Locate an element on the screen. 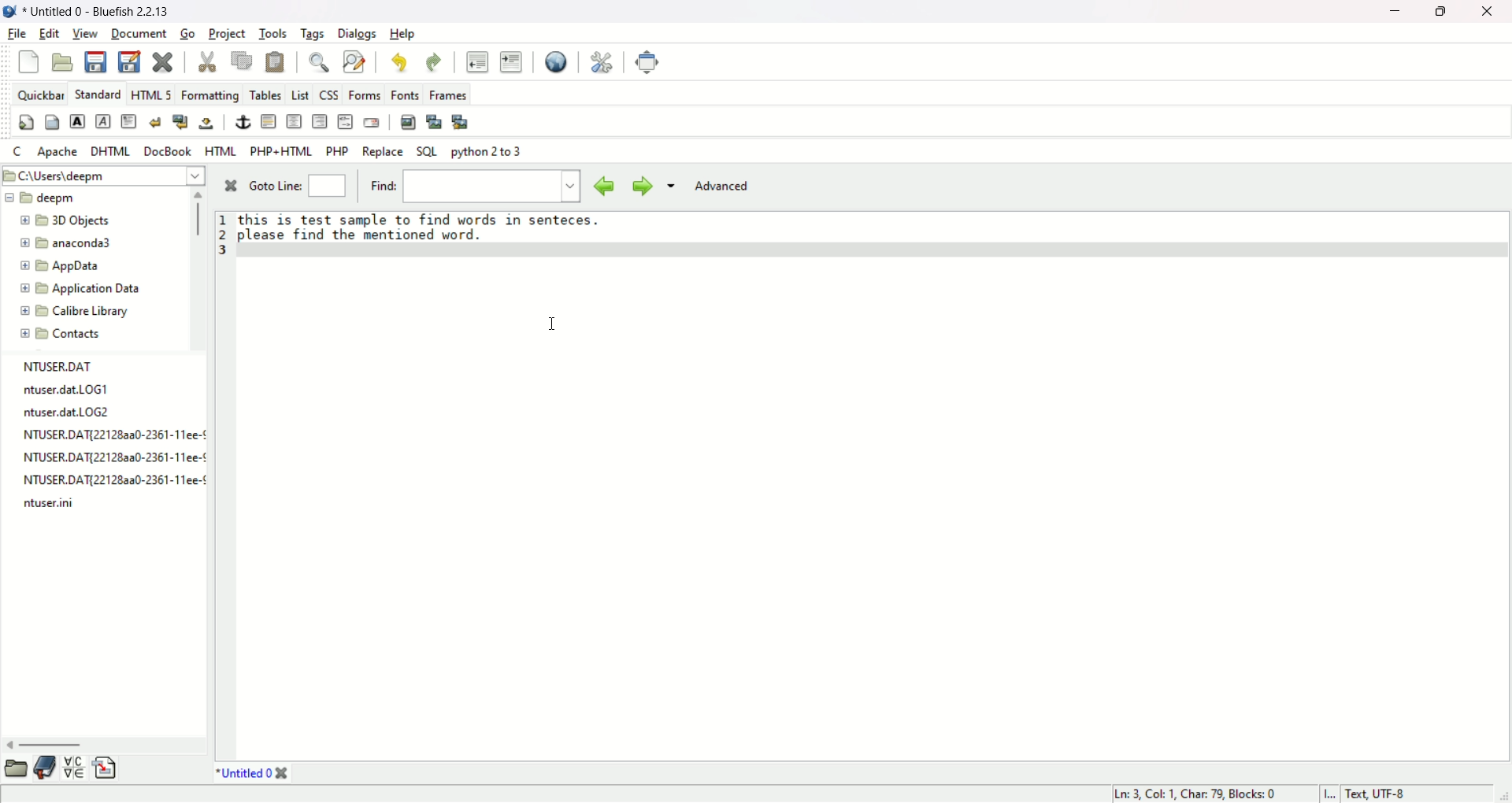 The image size is (1512, 803). insert thumbnail is located at coordinates (435, 120).